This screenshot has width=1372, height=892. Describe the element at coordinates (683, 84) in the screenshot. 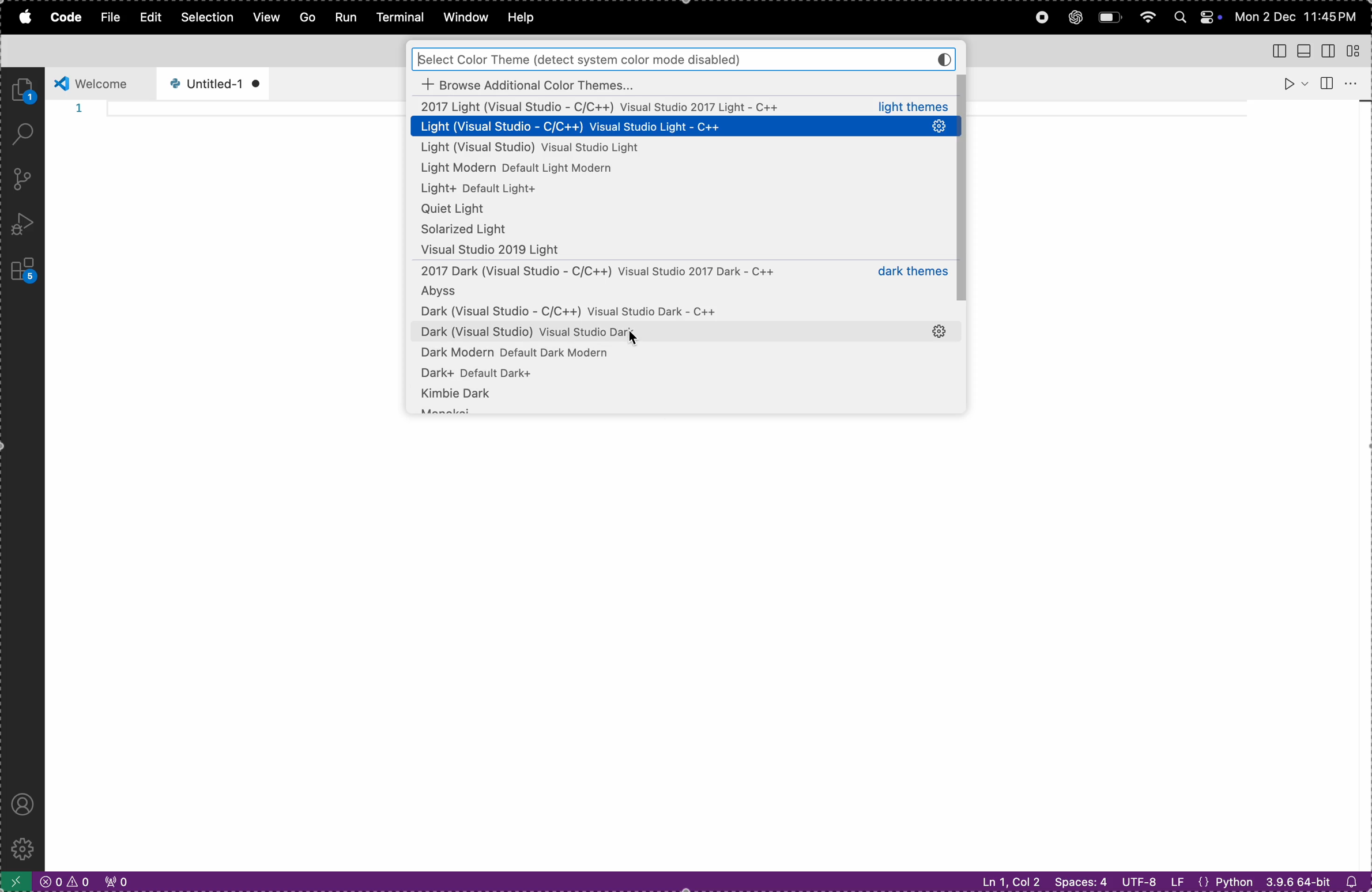

I see `browse additional custom themes` at that location.